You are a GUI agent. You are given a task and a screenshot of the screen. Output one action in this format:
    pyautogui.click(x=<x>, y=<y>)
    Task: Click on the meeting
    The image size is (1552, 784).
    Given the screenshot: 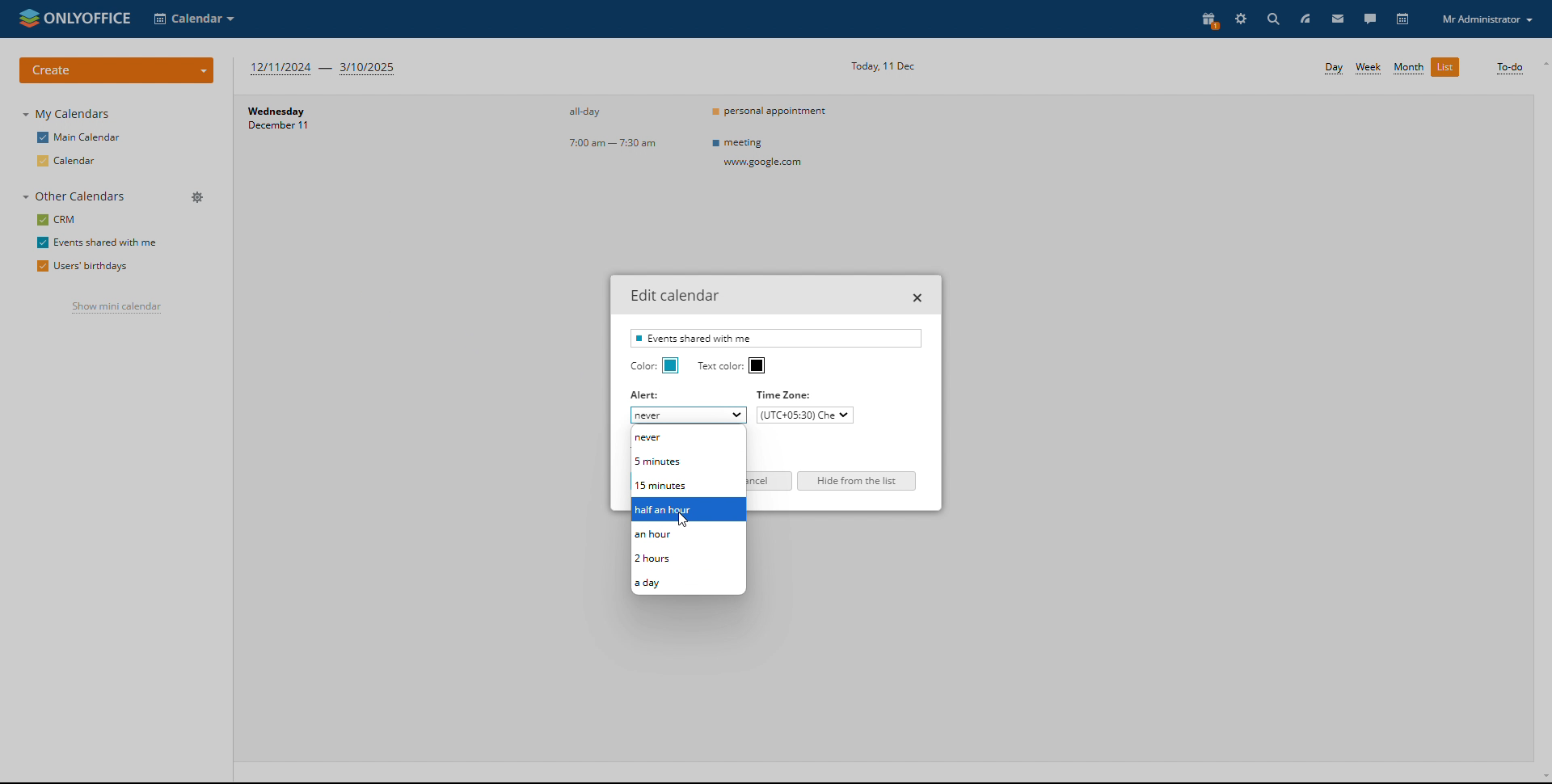 What is the action you would take?
    pyautogui.click(x=763, y=153)
    